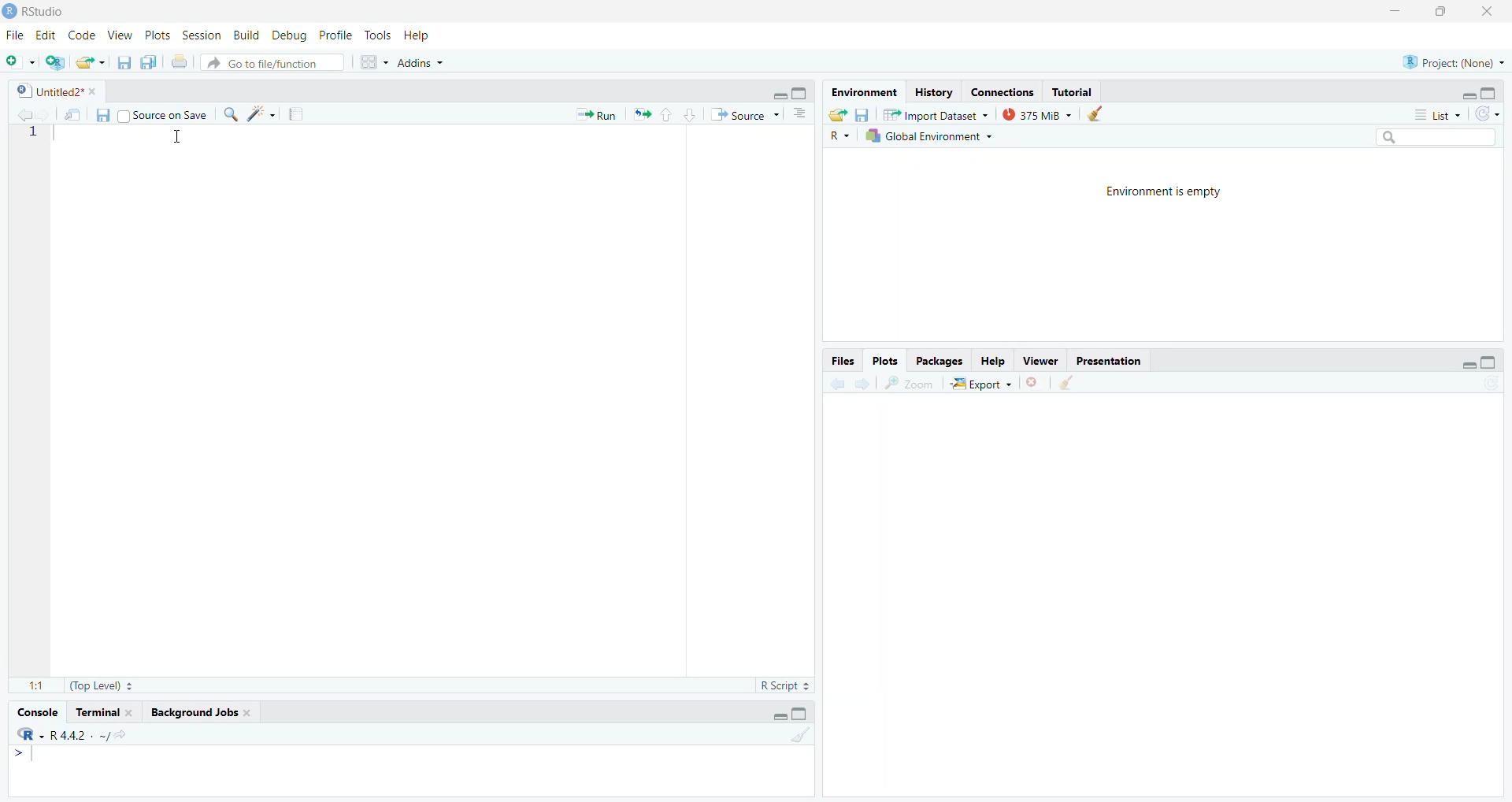  Describe the element at coordinates (1042, 360) in the screenshot. I see `viewer` at that location.